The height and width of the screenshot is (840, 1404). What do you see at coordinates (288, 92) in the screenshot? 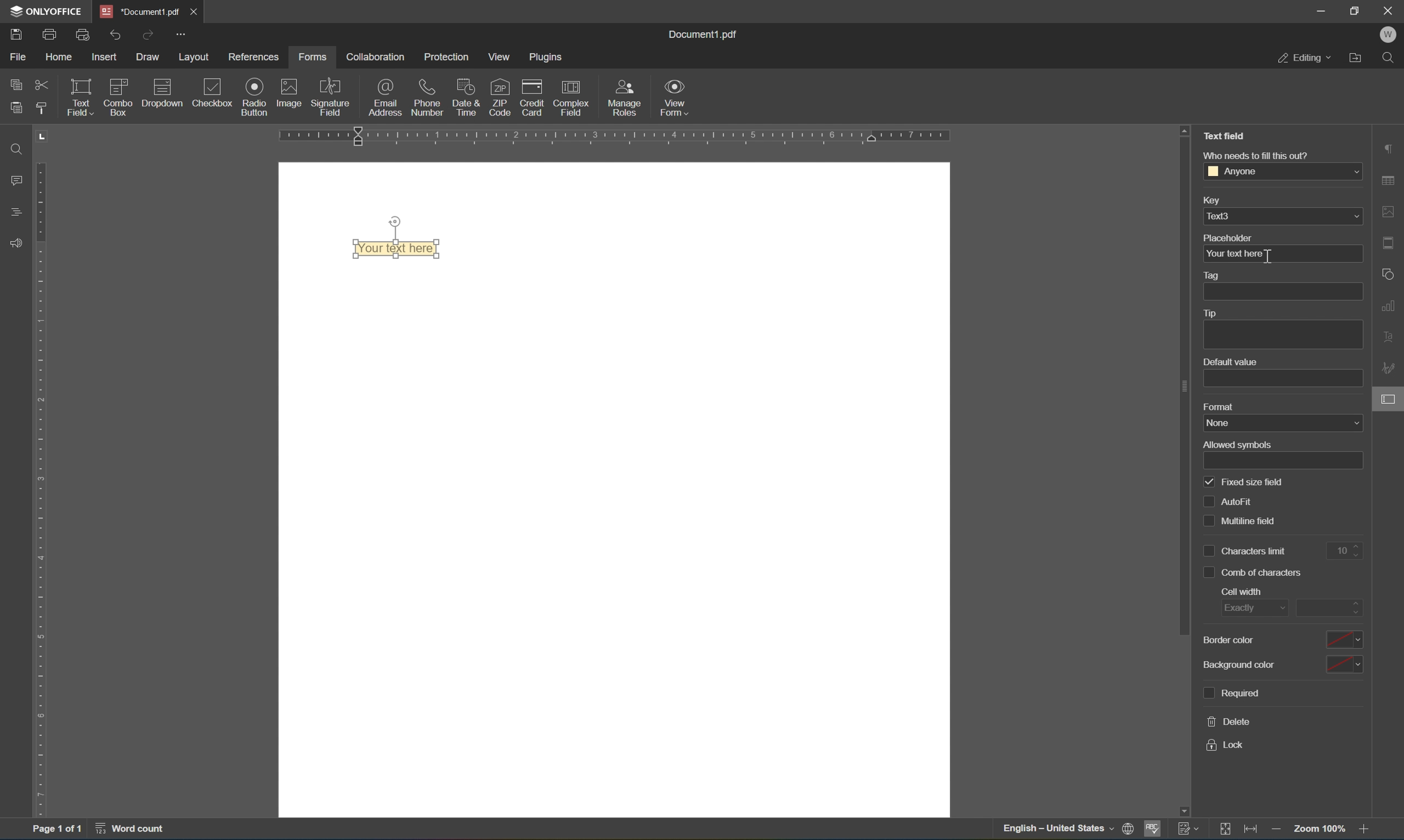
I see `image` at bounding box center [288, 92].